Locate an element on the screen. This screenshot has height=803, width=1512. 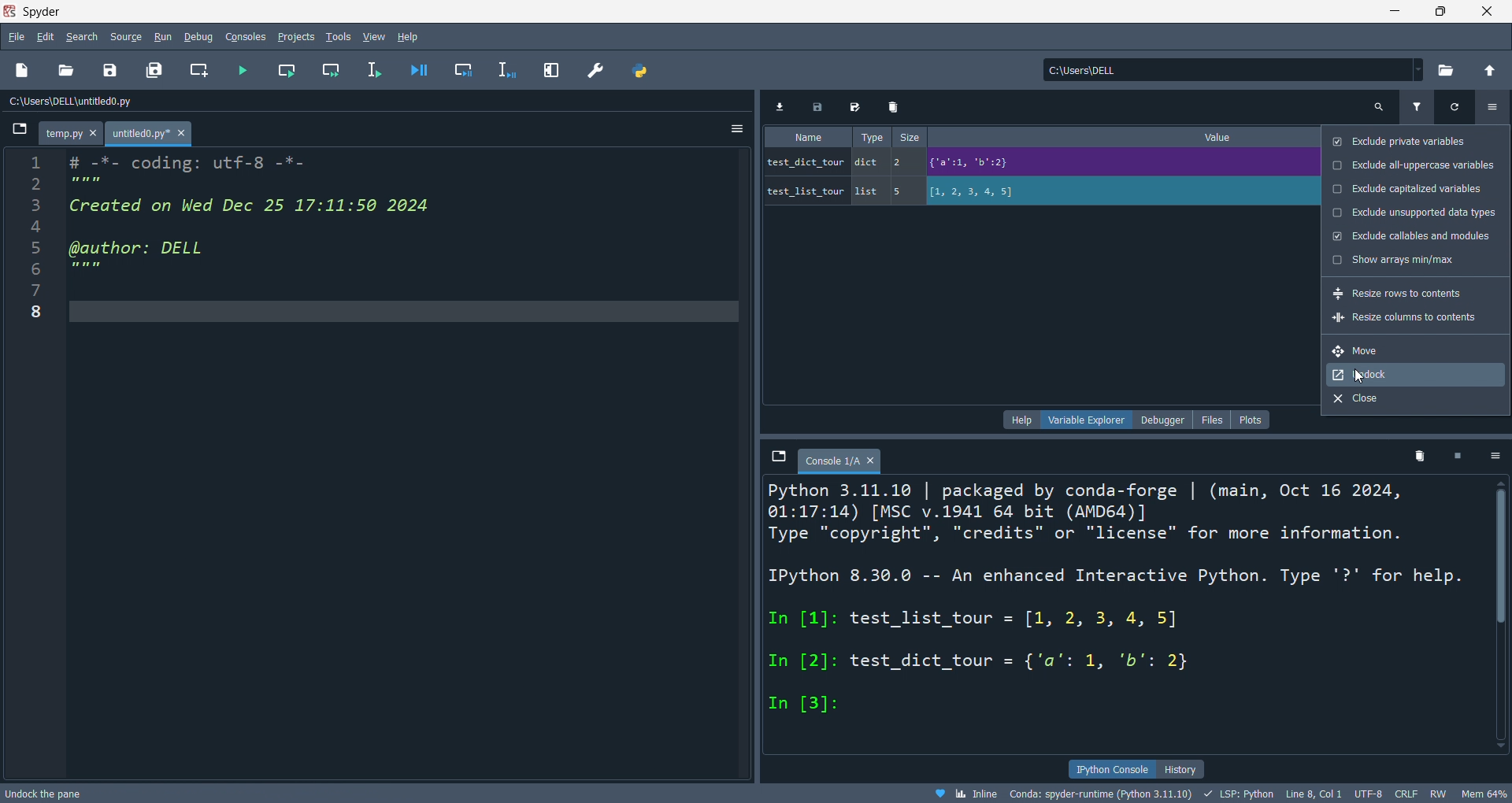
cursor is located at coordinates (1359, 378).